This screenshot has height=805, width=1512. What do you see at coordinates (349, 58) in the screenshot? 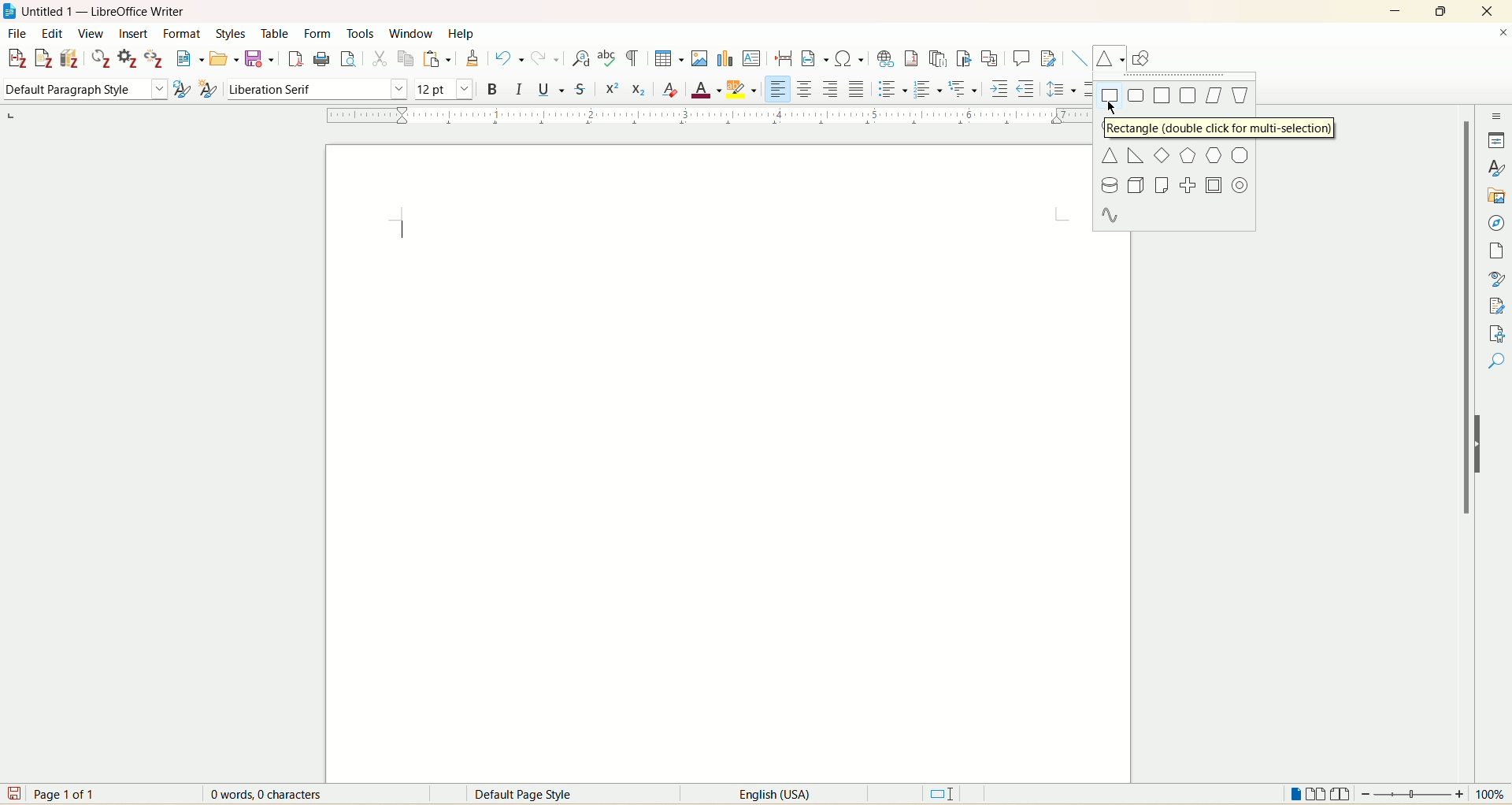
I see `print preview` at bounding box center [349, 58].